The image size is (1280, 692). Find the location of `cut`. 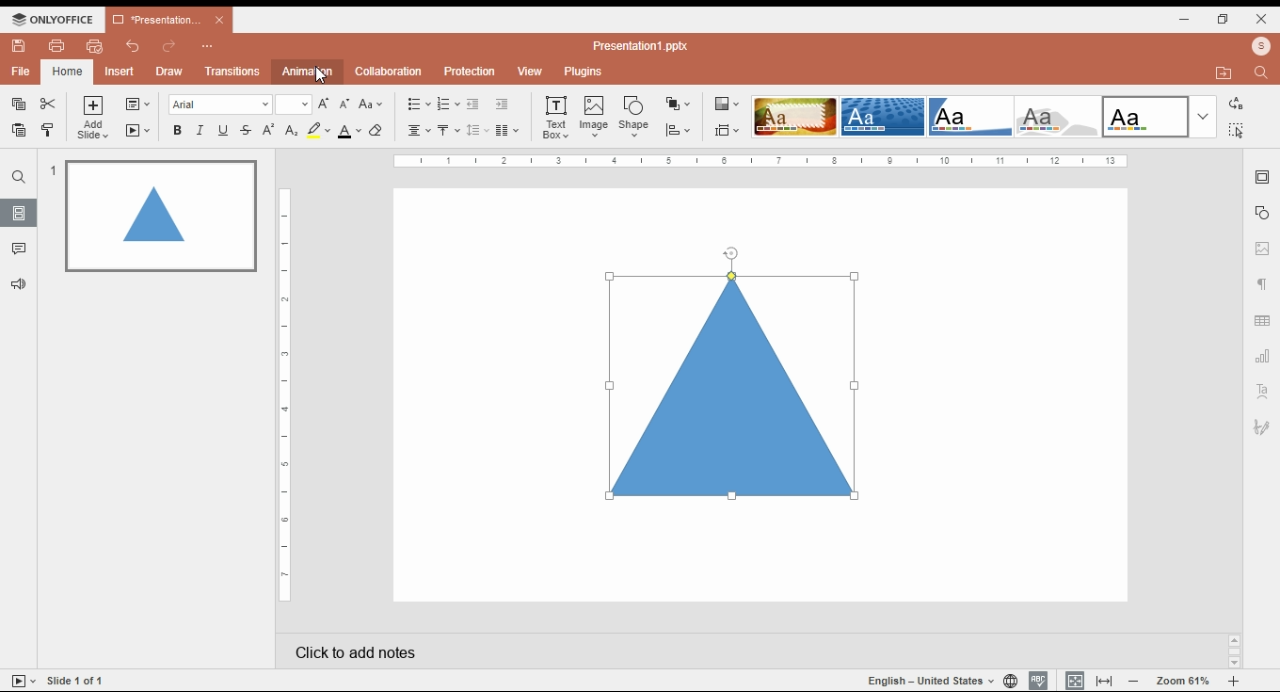

cut is located at coordinates (48, 103).